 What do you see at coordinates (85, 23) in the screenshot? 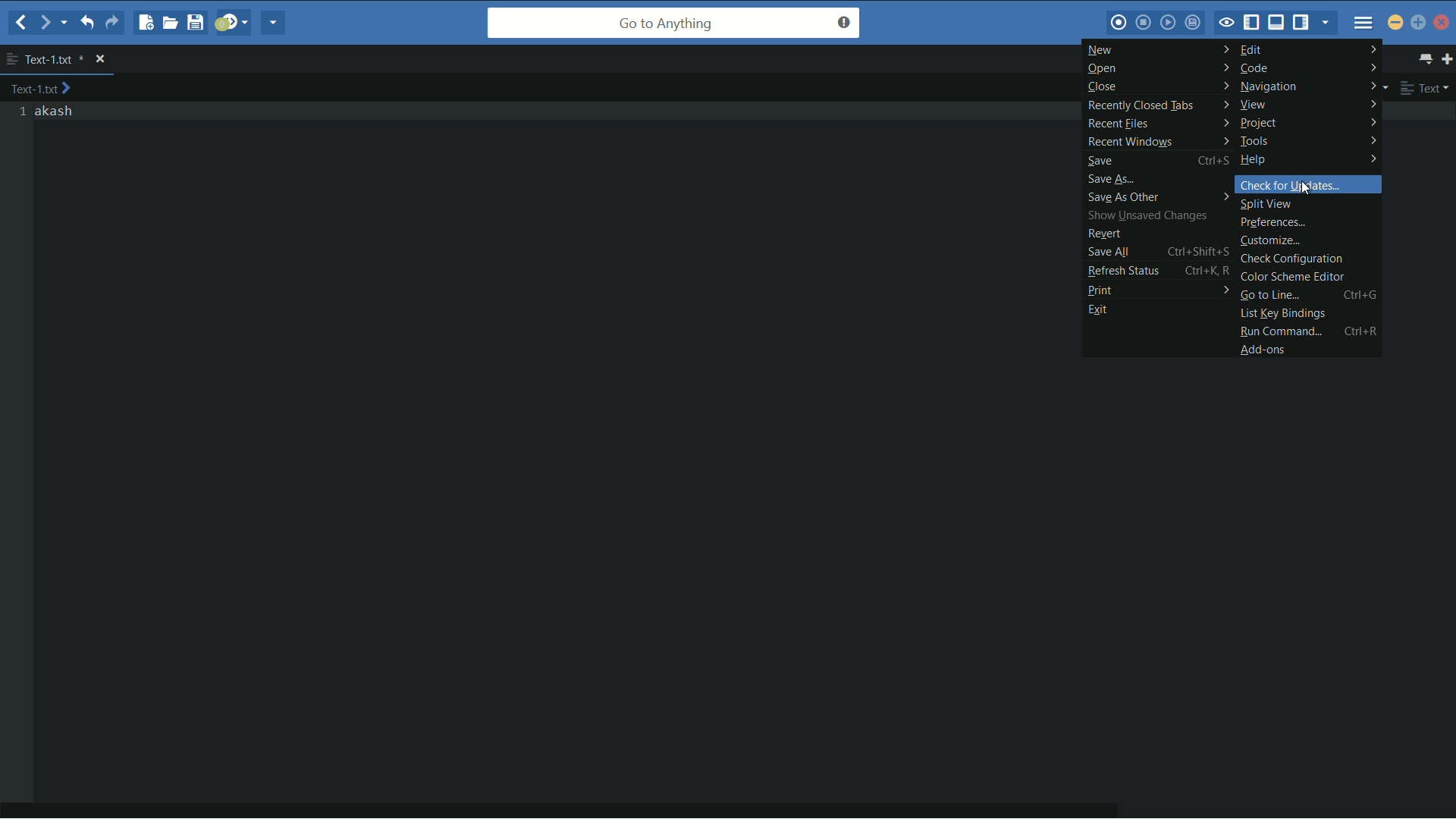
I see `undo` at bounding box center [85, 23].